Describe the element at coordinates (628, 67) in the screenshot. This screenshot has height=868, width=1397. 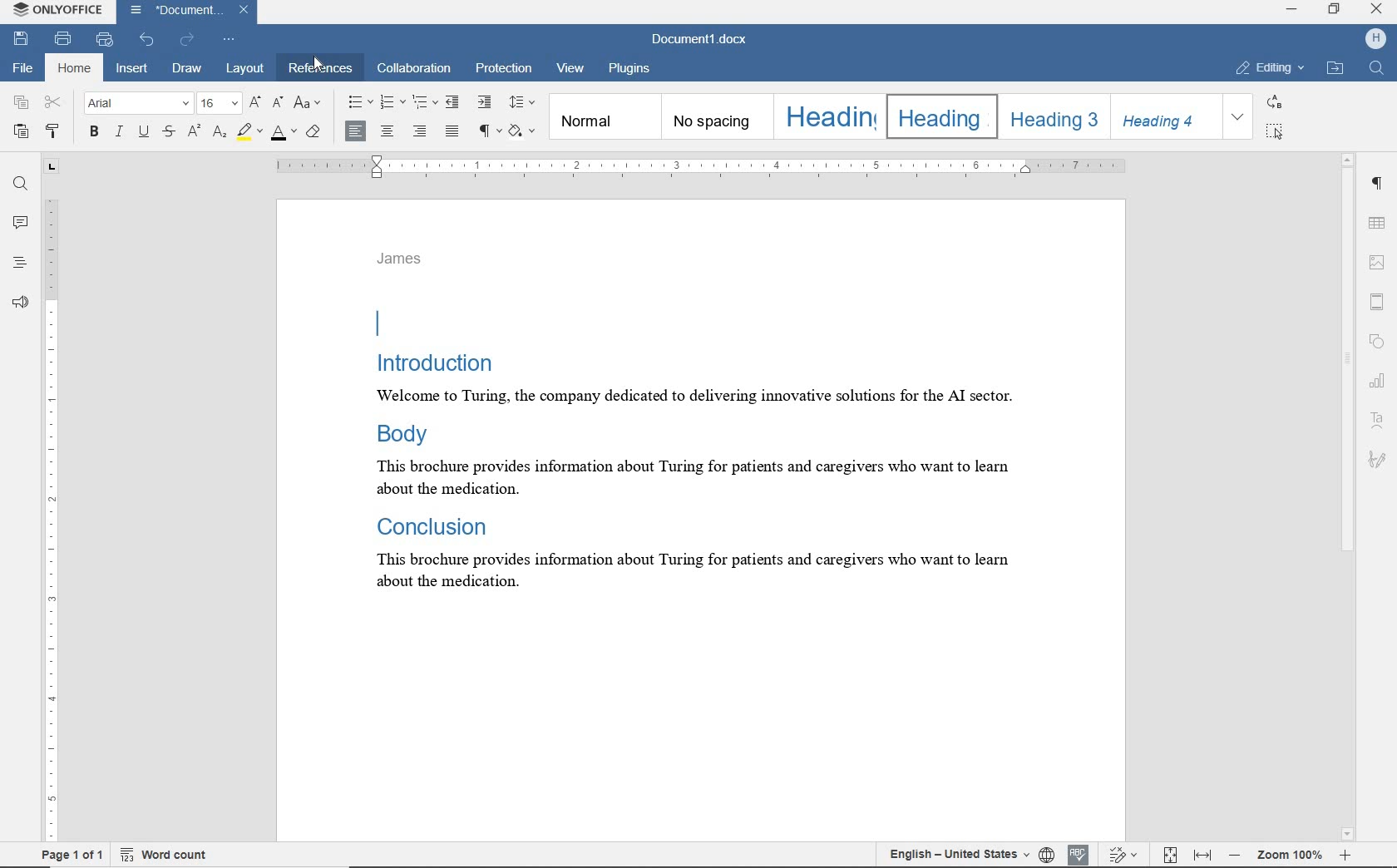
I see `plugins` at that location.